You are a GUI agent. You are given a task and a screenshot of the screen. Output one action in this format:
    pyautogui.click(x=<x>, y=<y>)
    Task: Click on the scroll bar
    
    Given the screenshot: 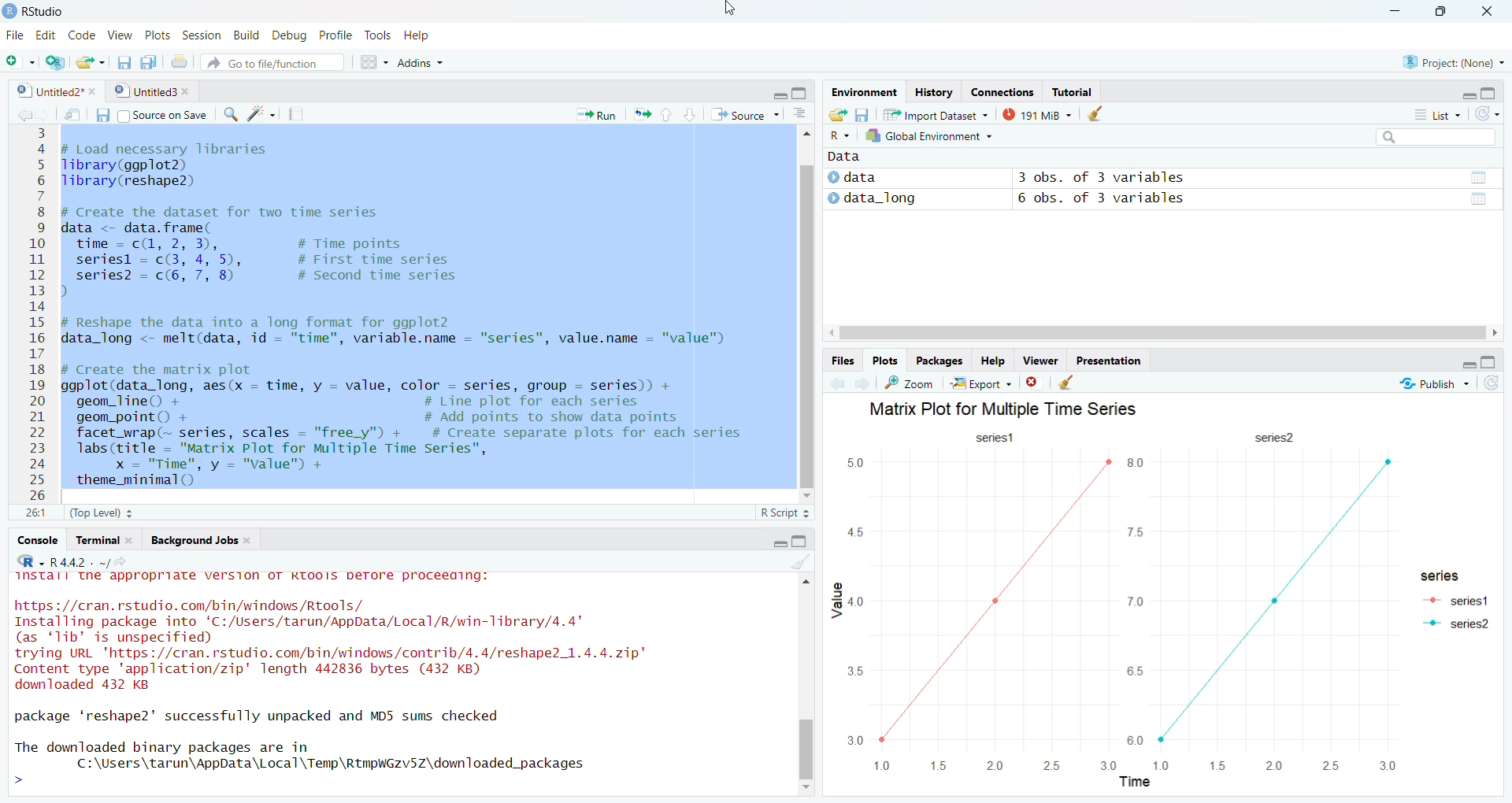 What is the action you would take?
    pyautogui.click(x=805, y=324)
    